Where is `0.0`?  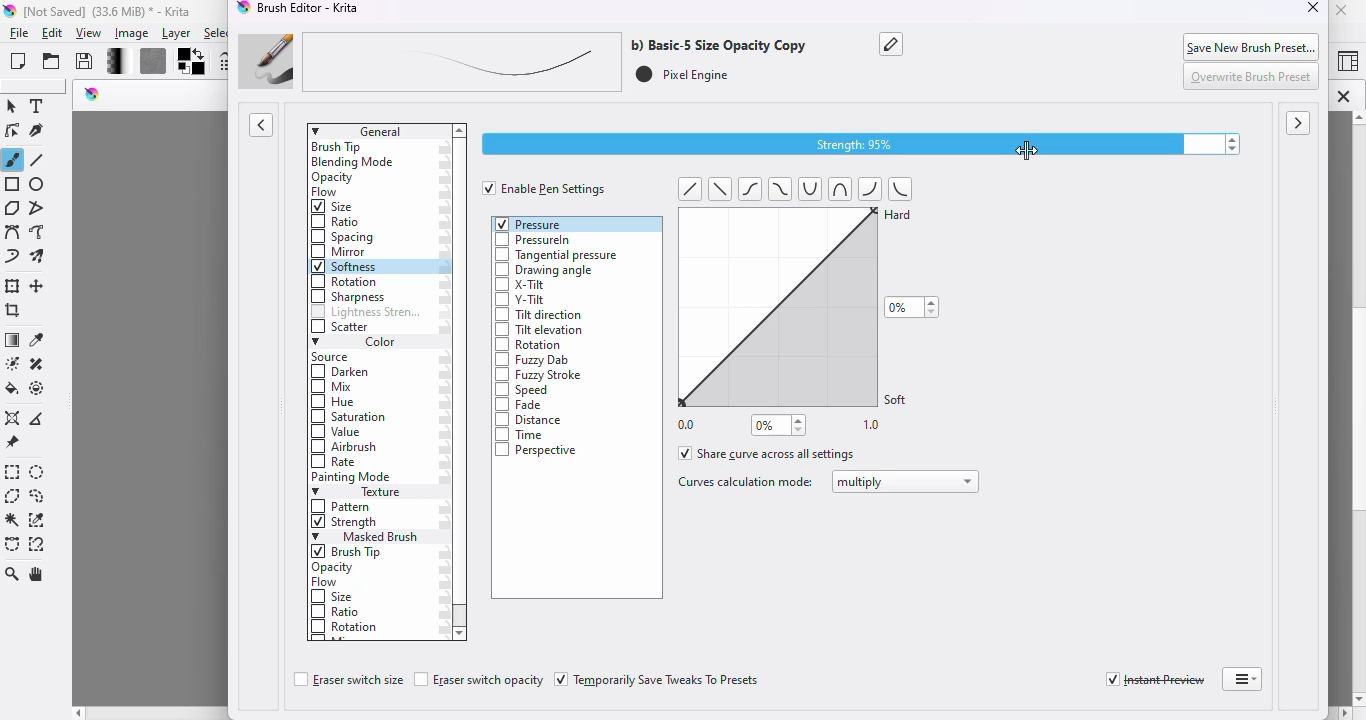
0.0 is located at coordinates (687, 423).